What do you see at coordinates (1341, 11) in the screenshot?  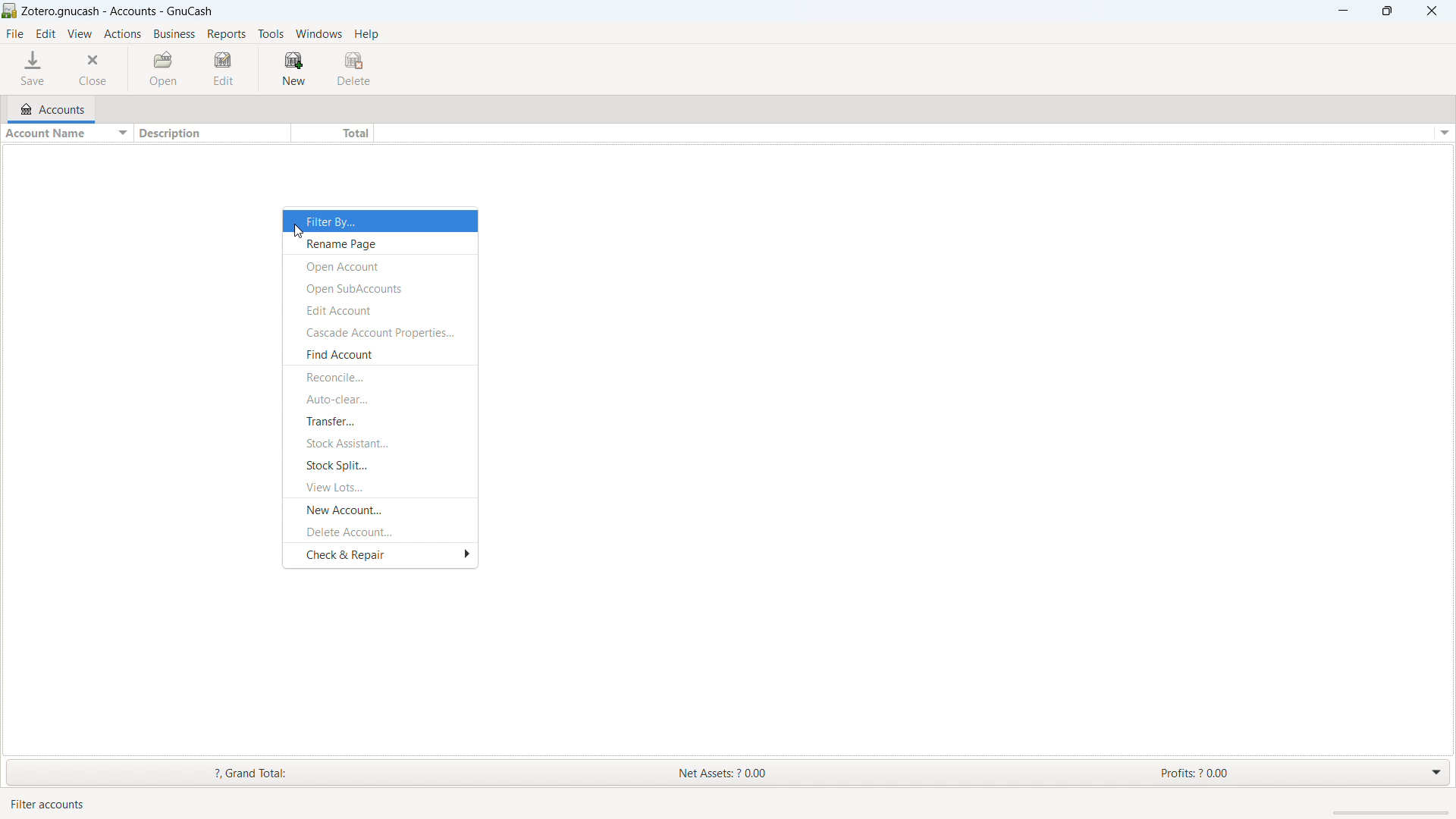 I see `minimize` at bounding box center [1341, 11].